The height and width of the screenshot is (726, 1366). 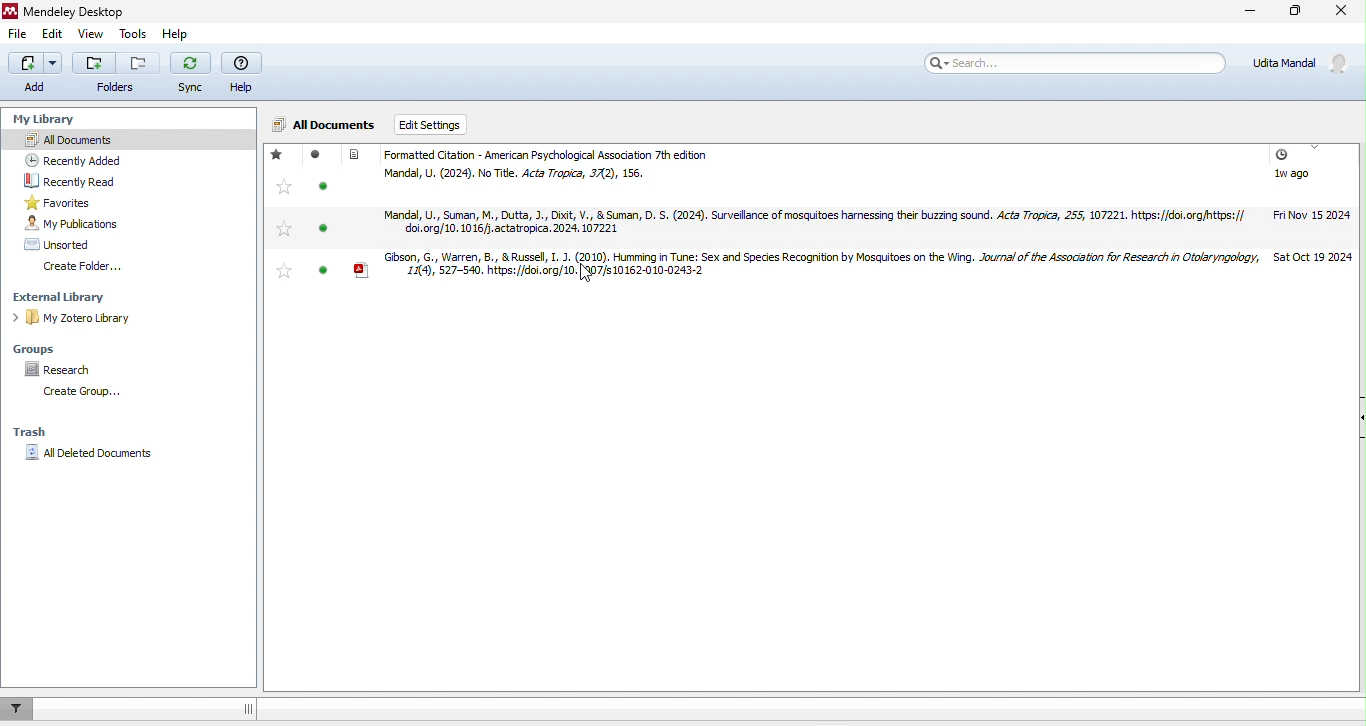 I want to click on groups, so click(x=38, y=350).